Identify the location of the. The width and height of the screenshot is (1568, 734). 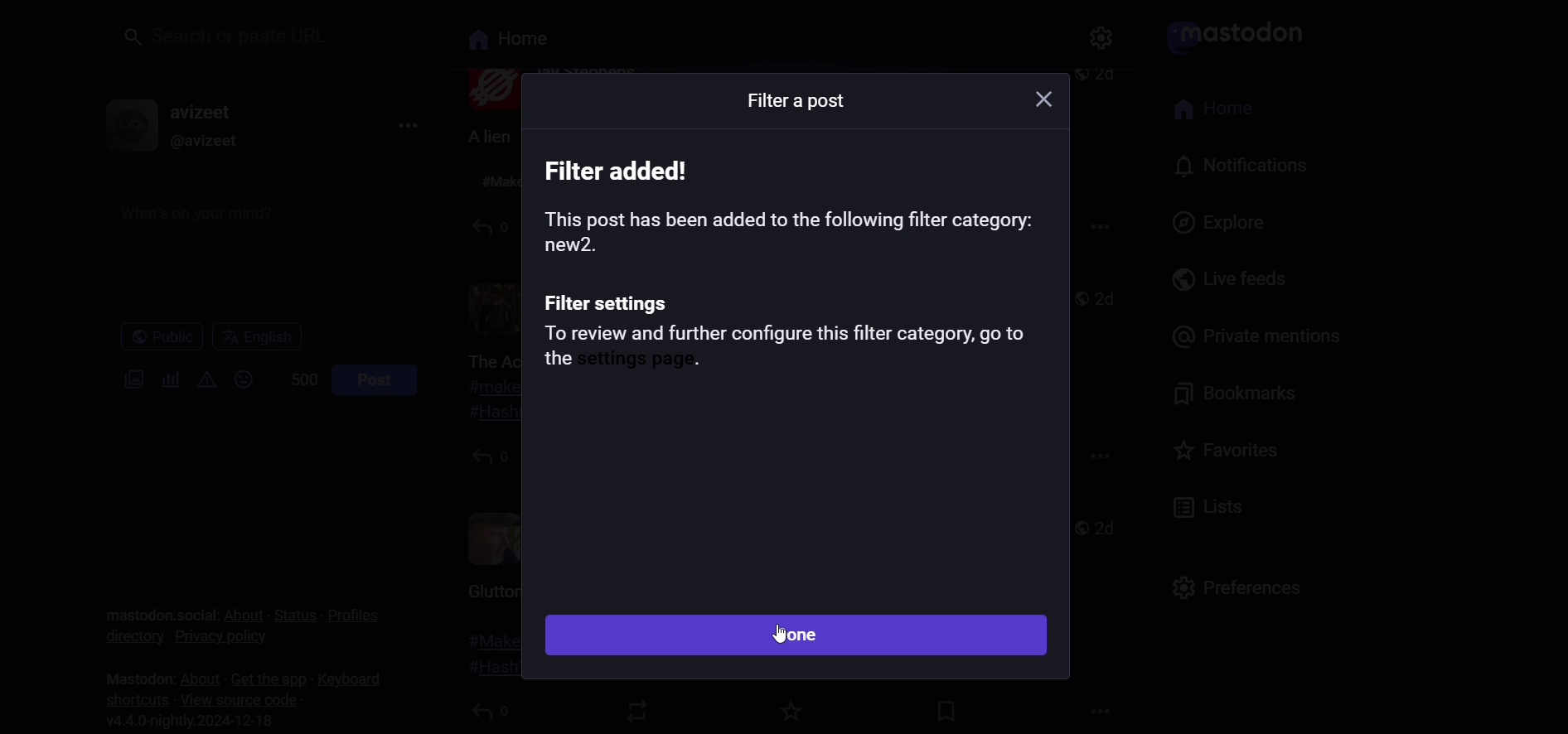
(553, 361).